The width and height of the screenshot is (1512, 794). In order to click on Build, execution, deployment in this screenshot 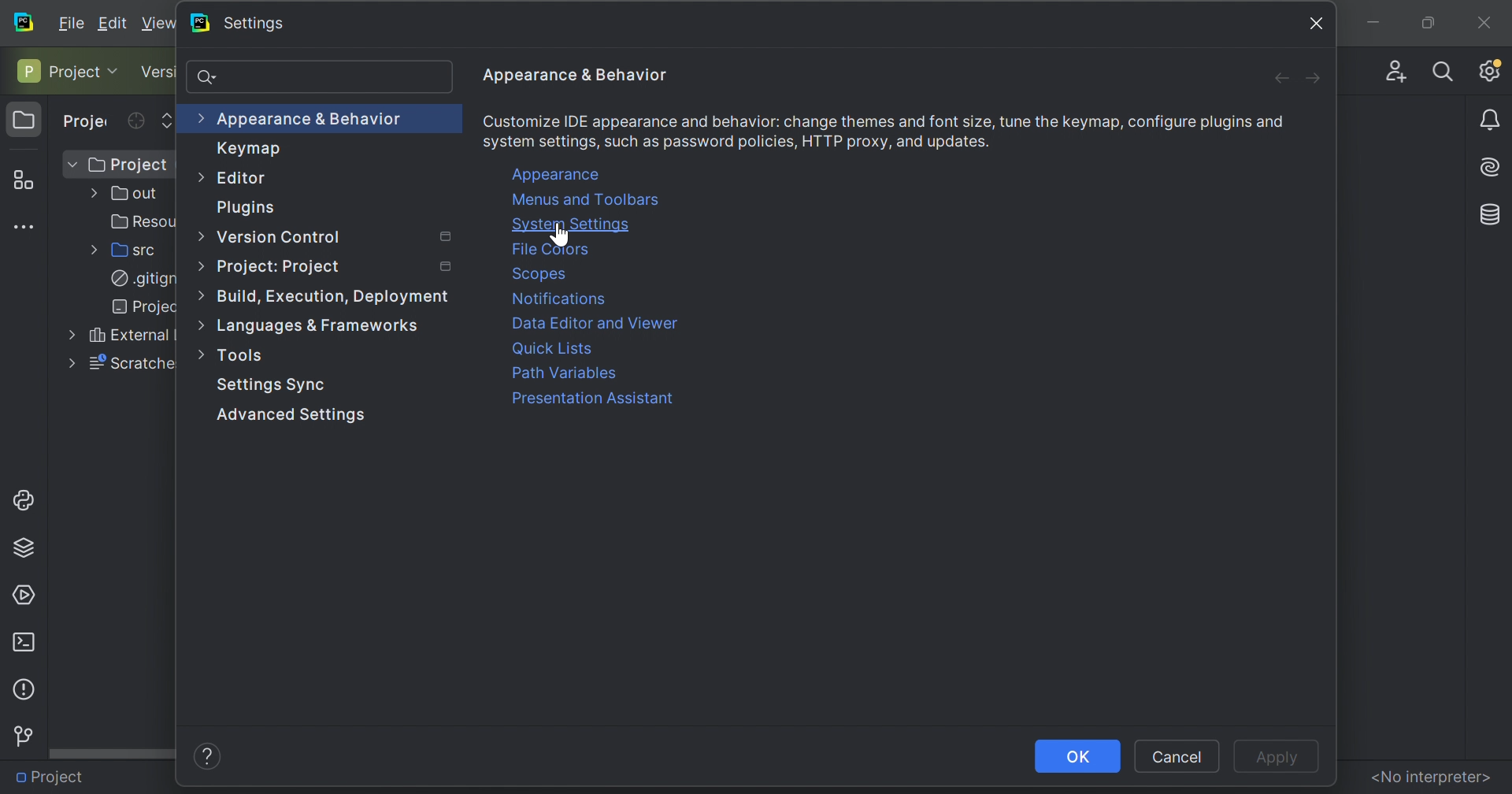, I will do `click(335, 297)`.